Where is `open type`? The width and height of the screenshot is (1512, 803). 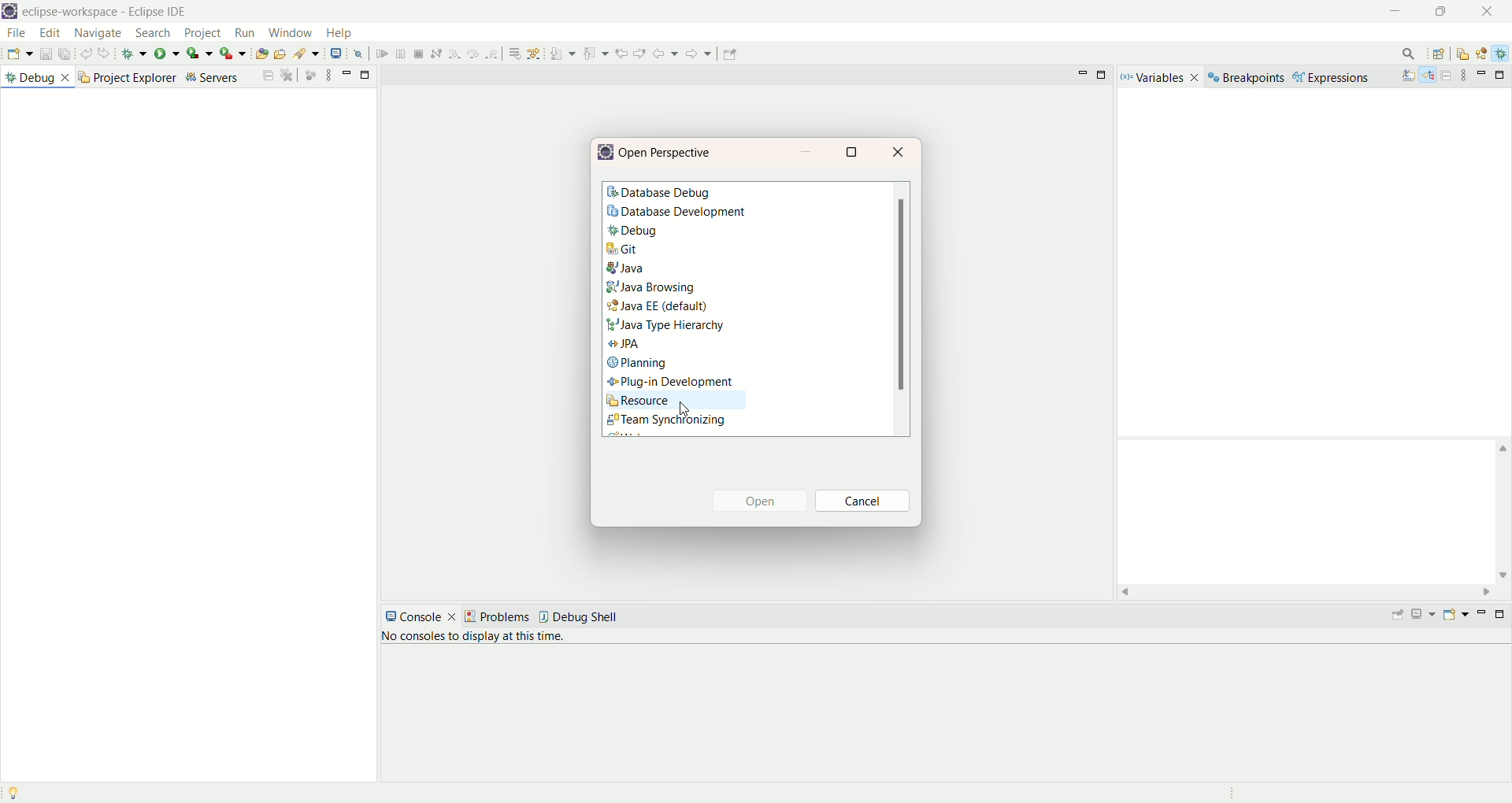 open type is located at coordinates (331, 55).